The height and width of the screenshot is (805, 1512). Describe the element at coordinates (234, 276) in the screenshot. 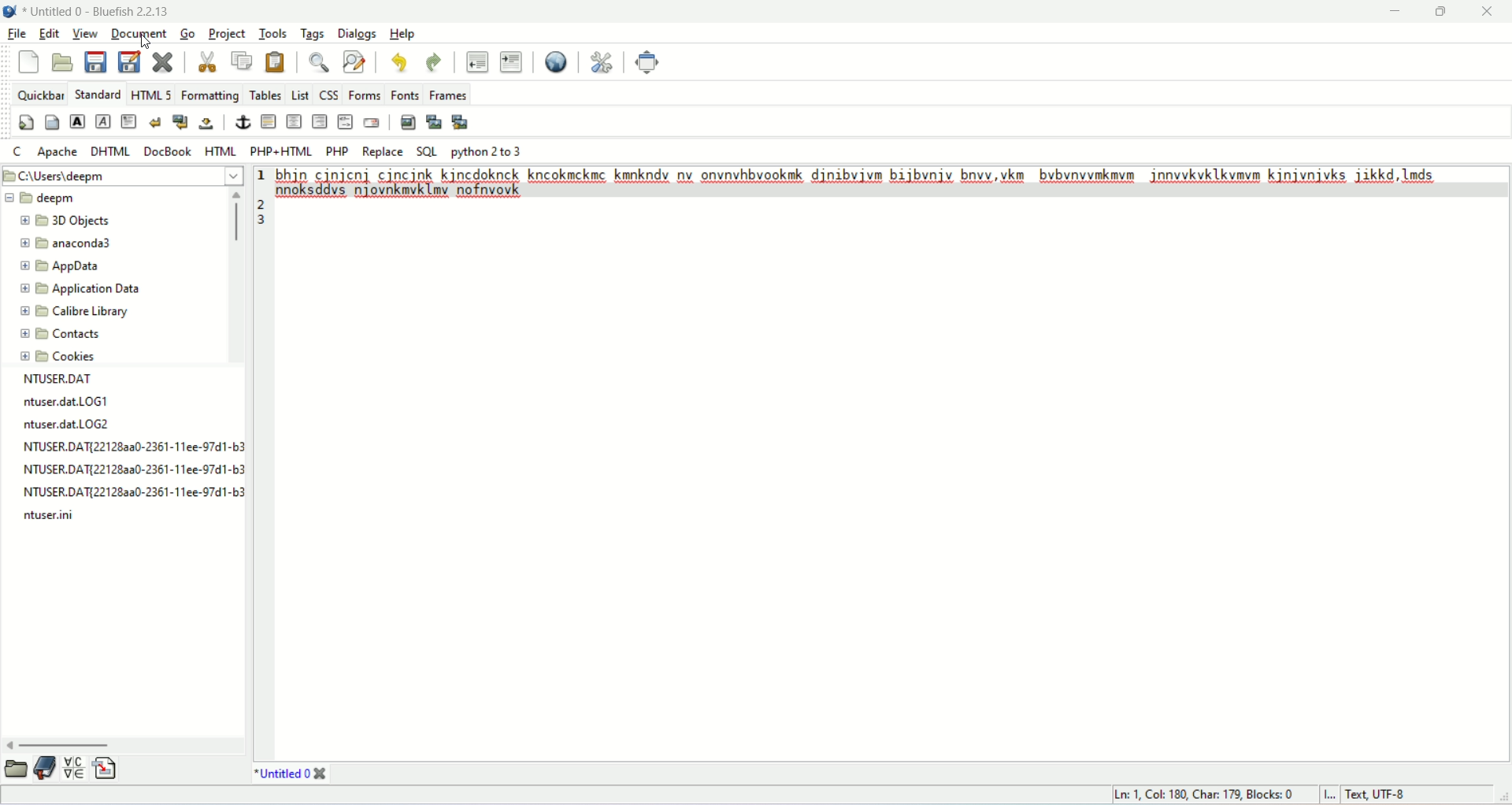

I see `vertical scroll bar` at that location.